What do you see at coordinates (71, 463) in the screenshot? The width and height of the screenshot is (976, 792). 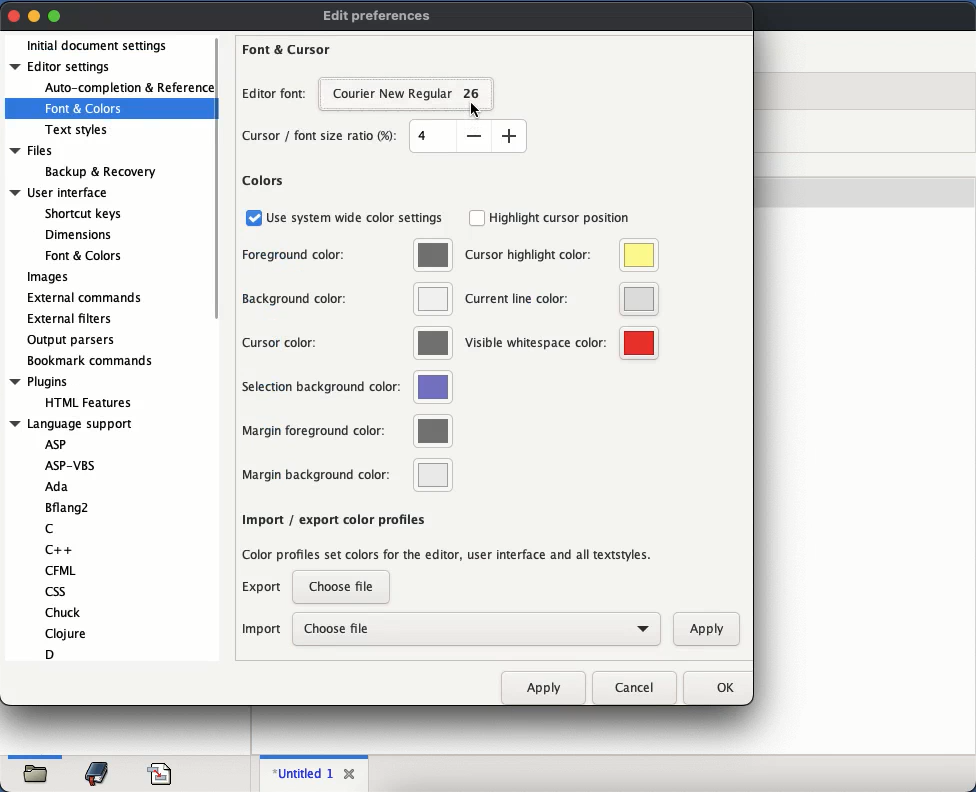 I see `ASP-VBS` at bounding box center [71, 463].